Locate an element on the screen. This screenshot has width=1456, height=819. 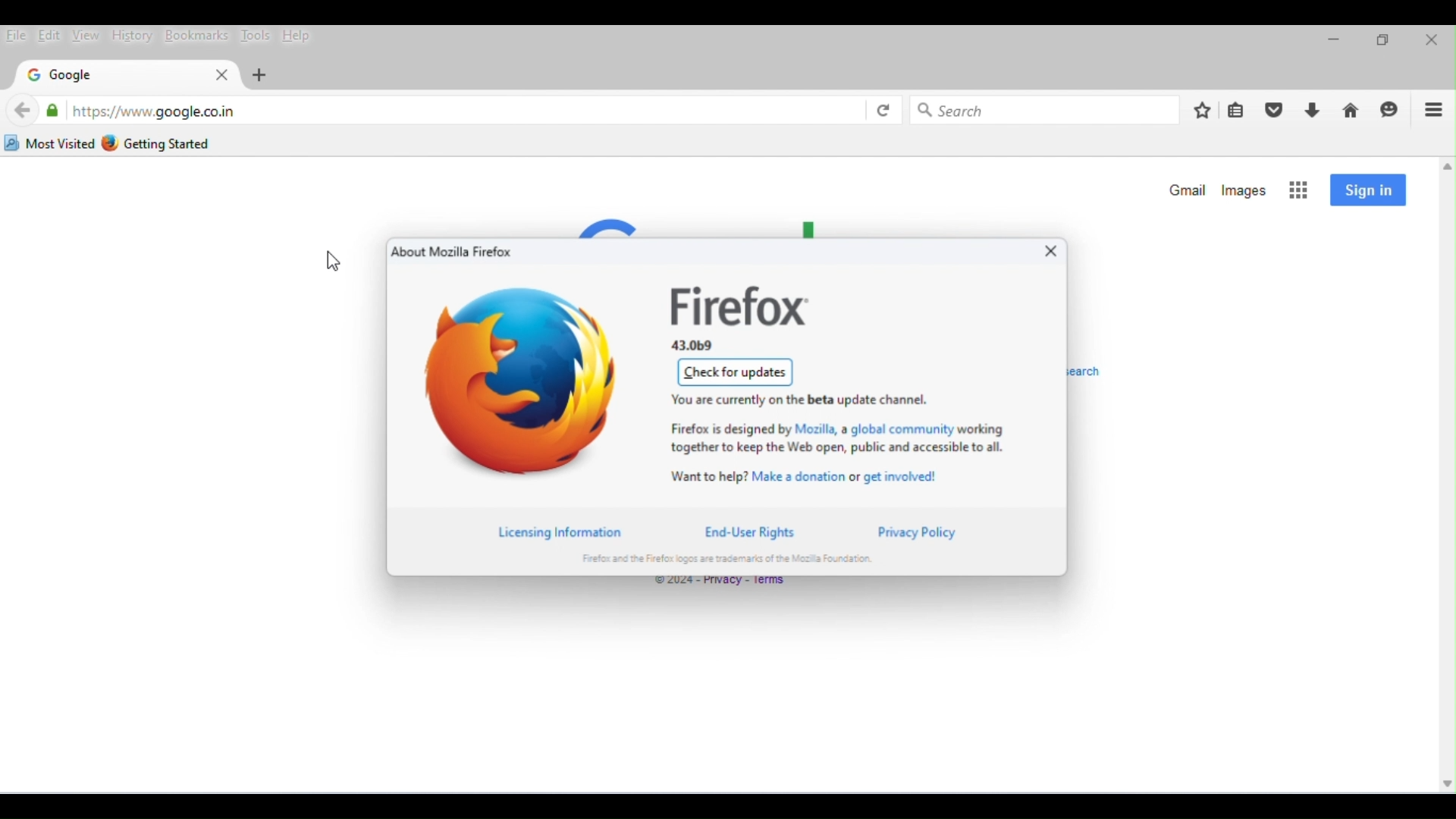
cursor is located at coordinates (335, 265).